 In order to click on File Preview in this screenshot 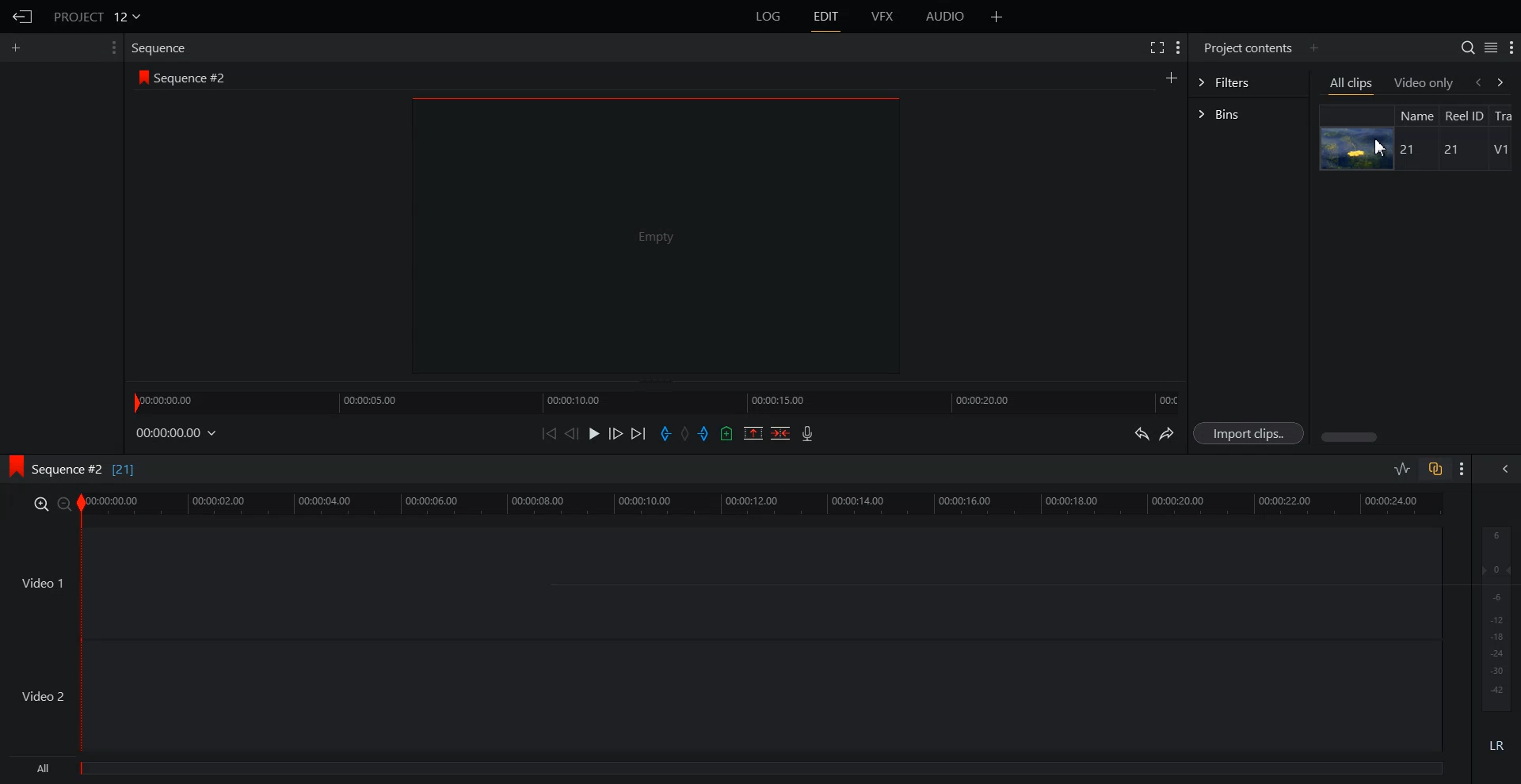, I will do `click(655, 234)`.